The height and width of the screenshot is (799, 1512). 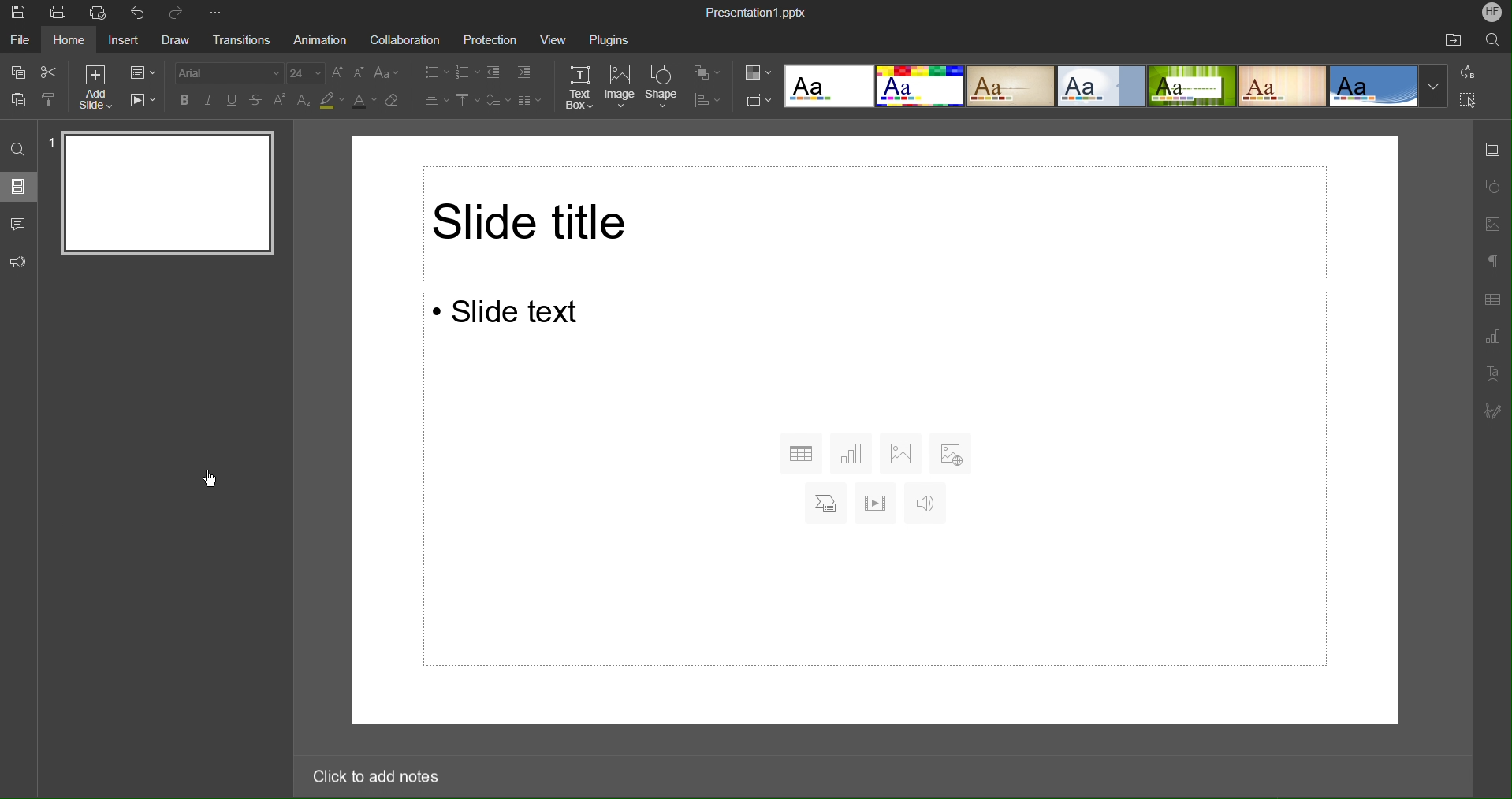 What do you see at coordinates (1490, 13) in the screenshot?
I see `Account` at bounding box center [1490, 13].